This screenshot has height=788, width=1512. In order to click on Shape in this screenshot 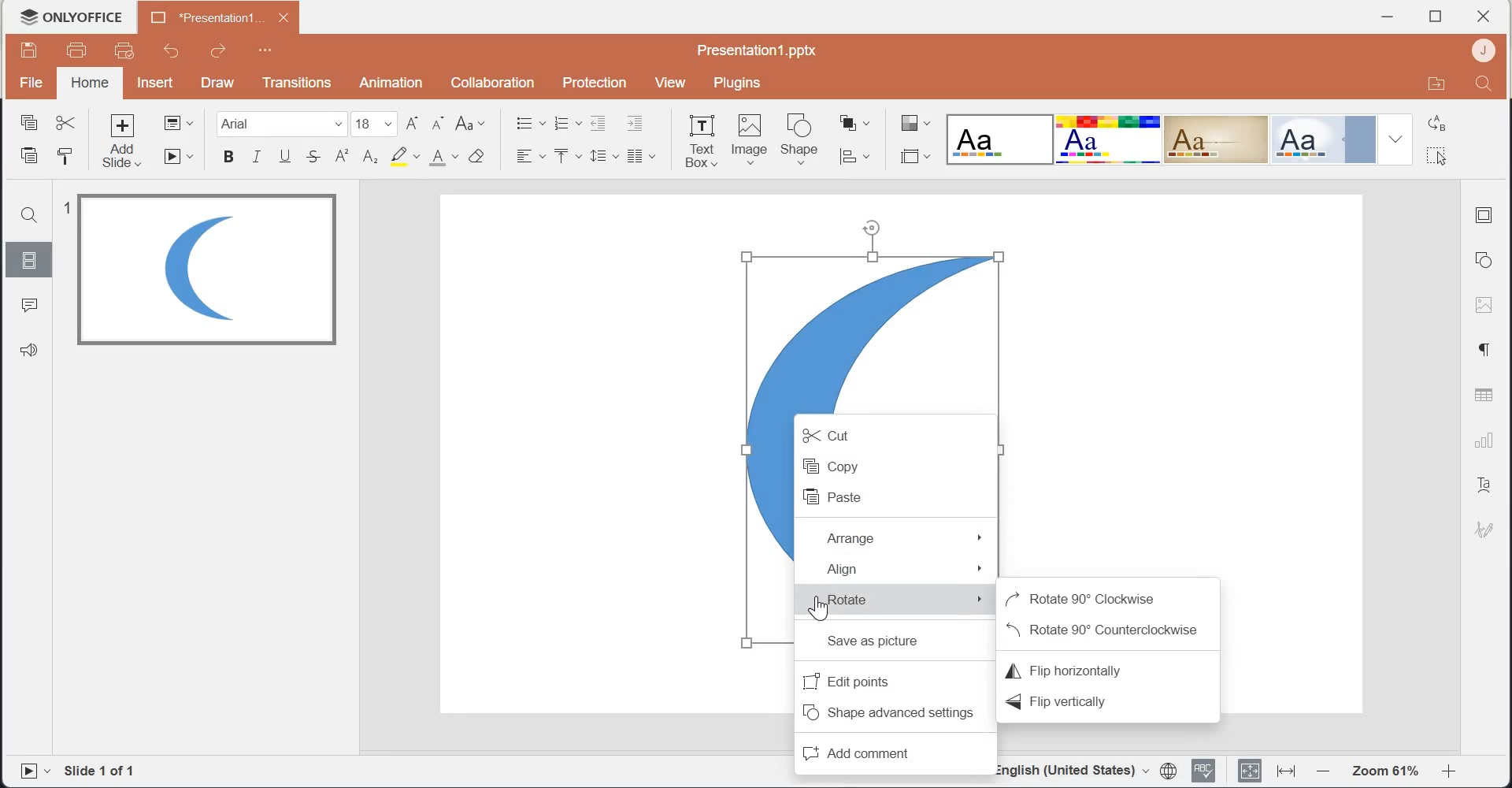, I will do `click(1488, 257)`.